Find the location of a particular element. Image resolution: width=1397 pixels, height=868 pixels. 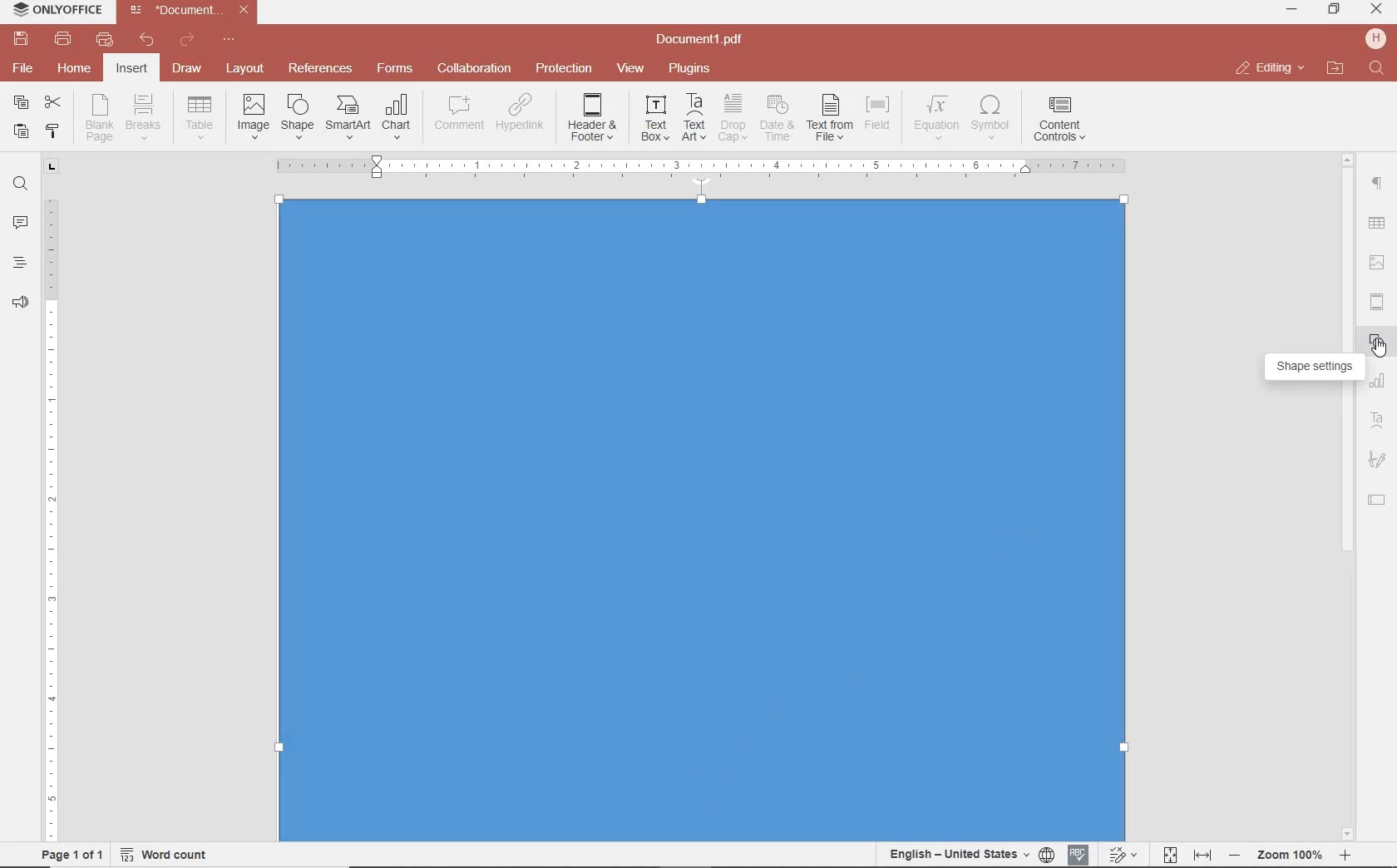

comments is located at coordinates (20, 224).